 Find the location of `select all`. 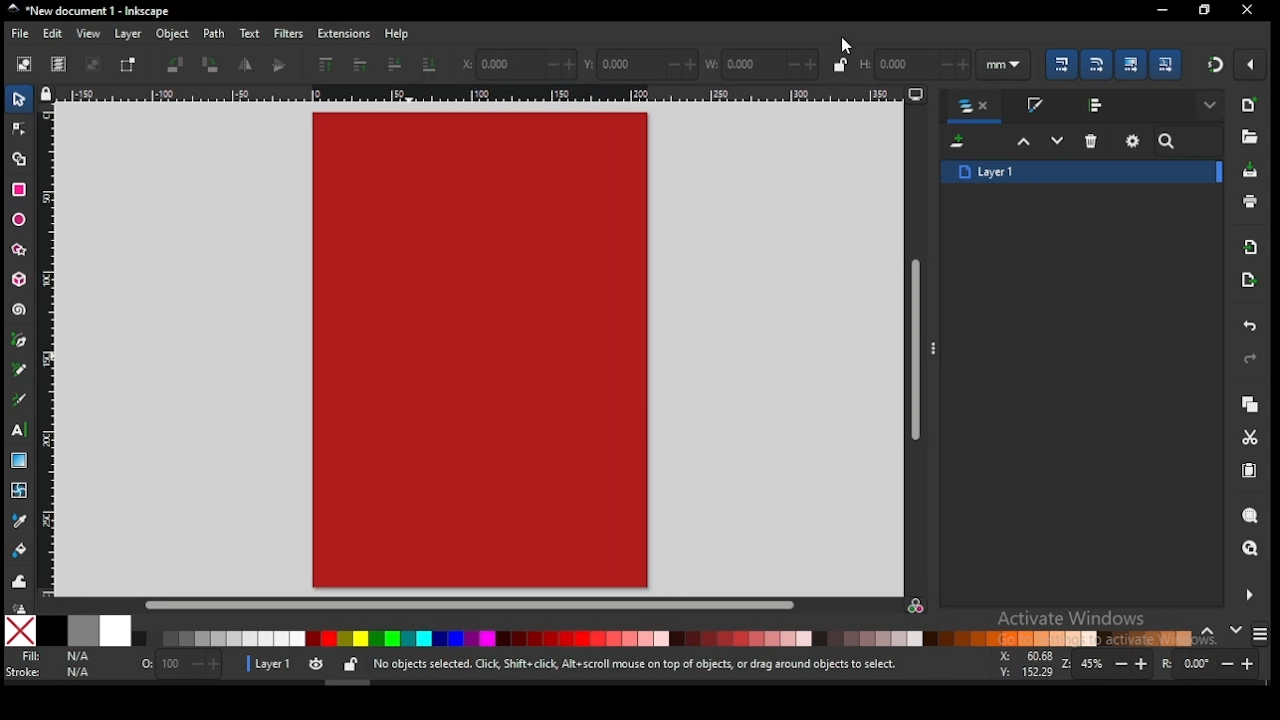

select all is located at coordinates (26, 63).